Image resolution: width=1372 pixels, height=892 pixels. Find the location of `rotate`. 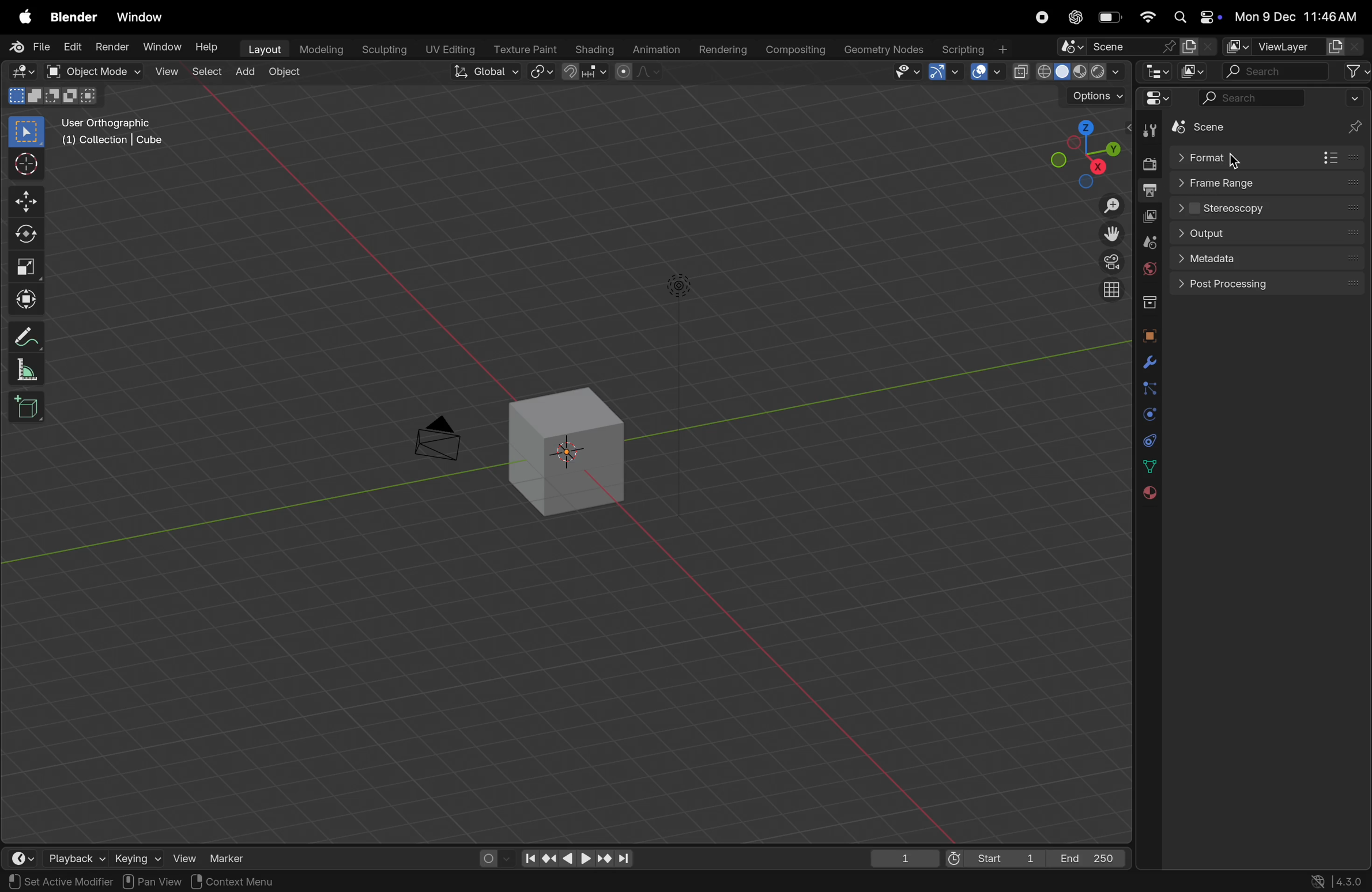

rotate is located at coordinates (22, 233).